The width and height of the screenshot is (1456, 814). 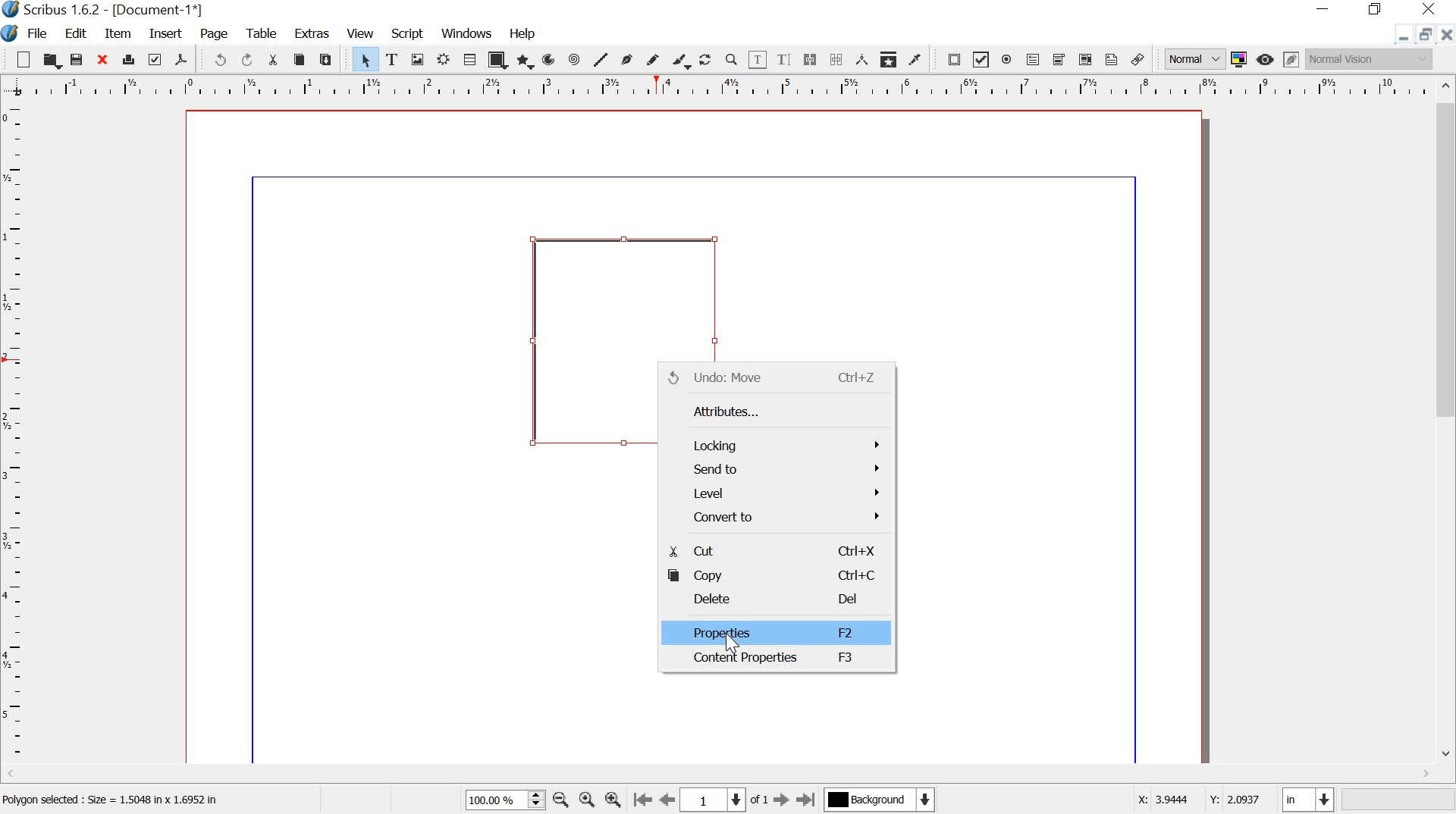 I want to click on go to next page, so click(x=783, y=800).